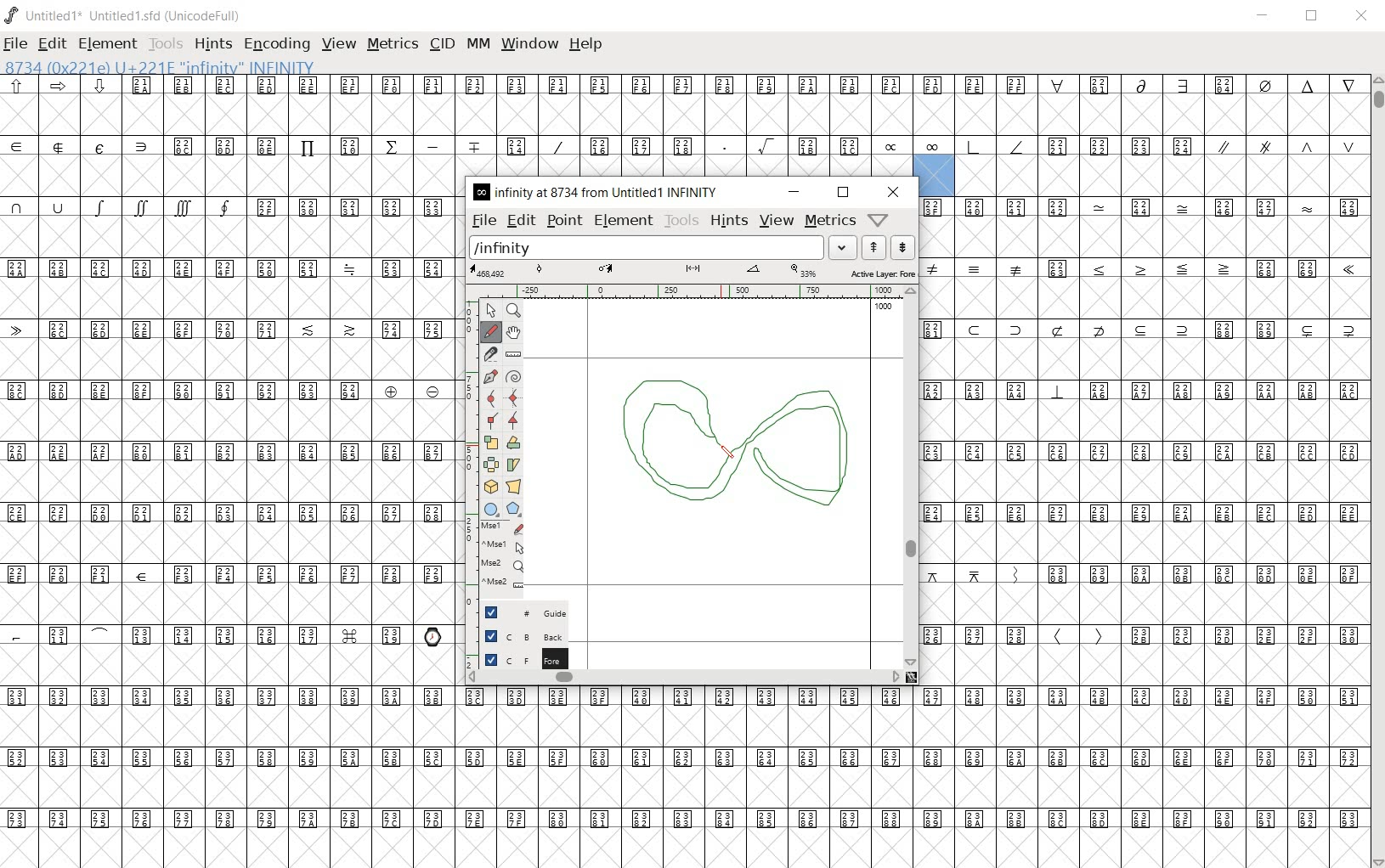 This screenshot has height=868, width=1385. Describe the element at coordinates (689, 759) in the screenshot. I see `Unicode code points` at that location.